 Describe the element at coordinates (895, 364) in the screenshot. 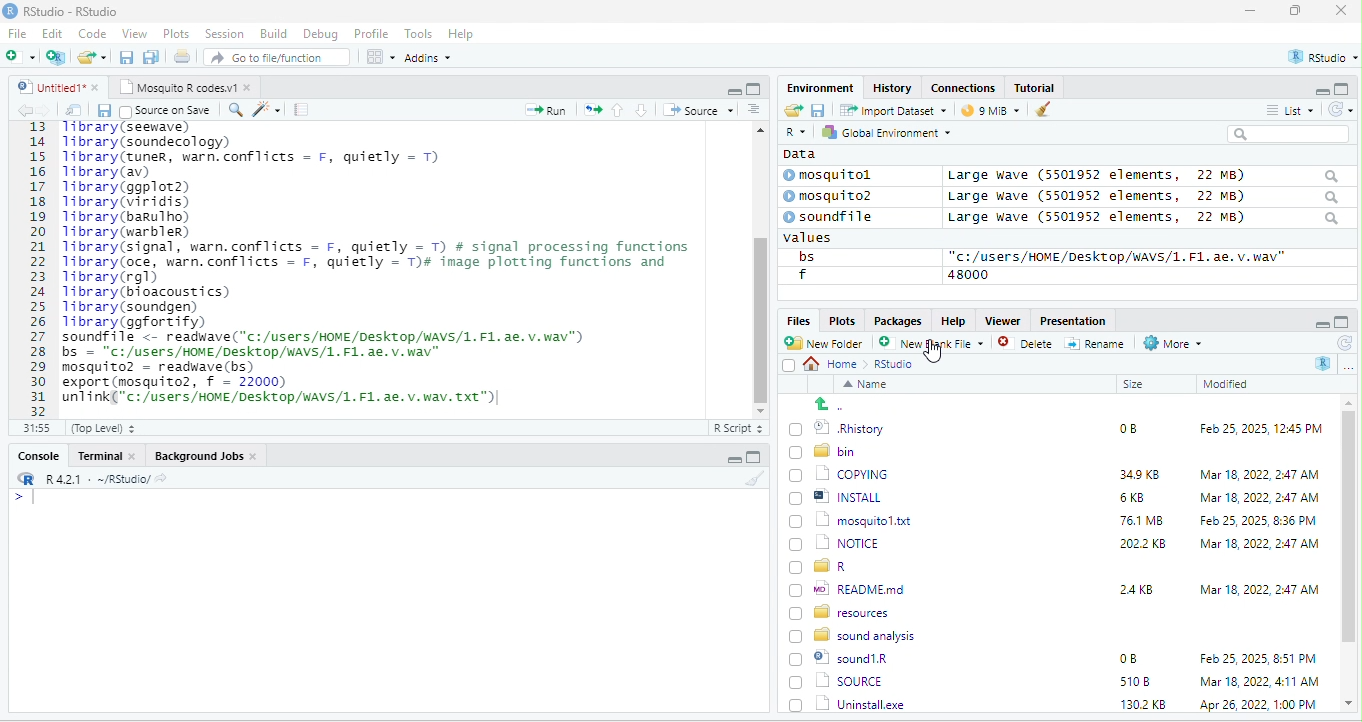

I see `Rstudio` at that location.